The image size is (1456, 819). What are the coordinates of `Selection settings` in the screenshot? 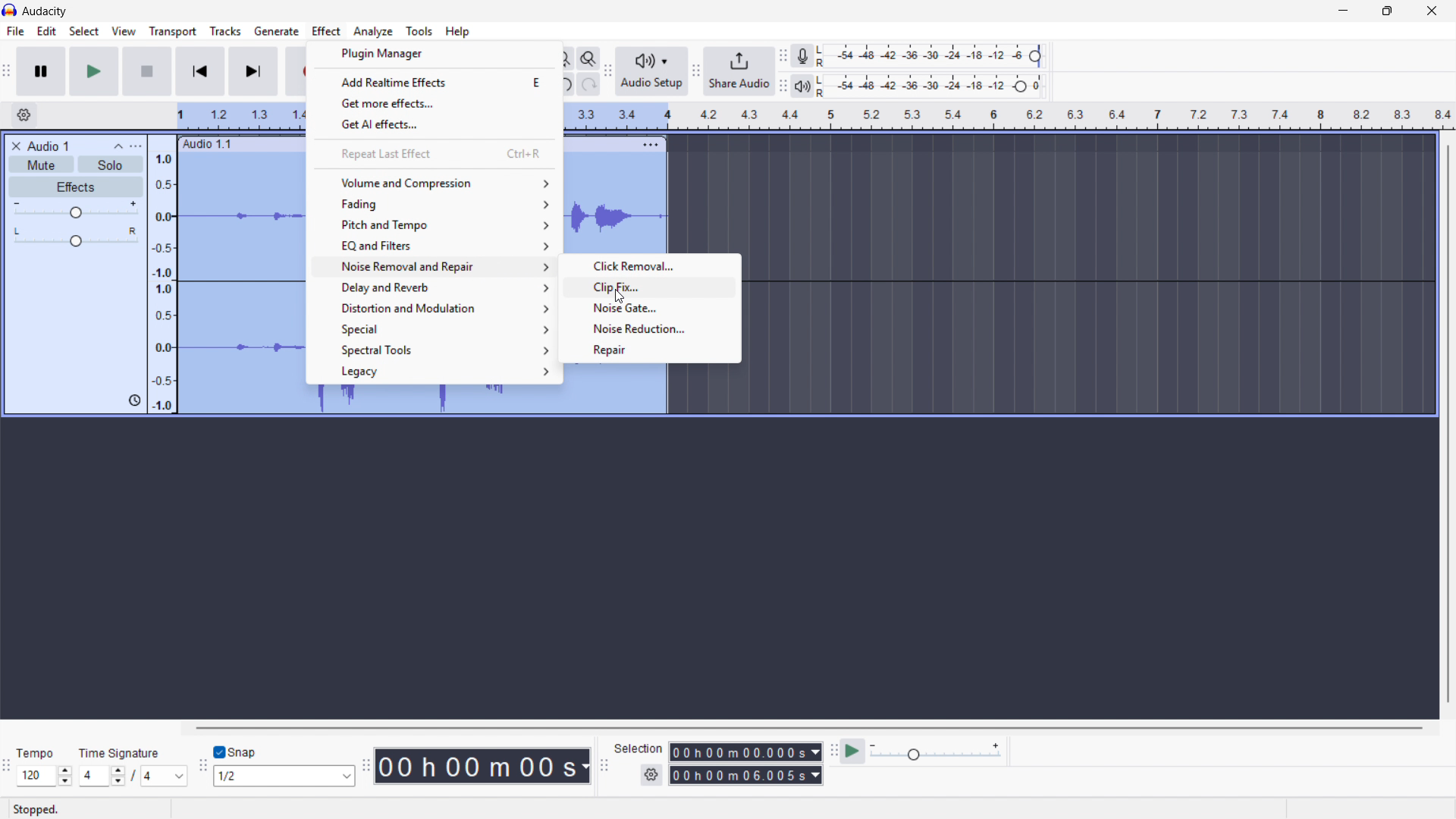 It's located at (651, 775).